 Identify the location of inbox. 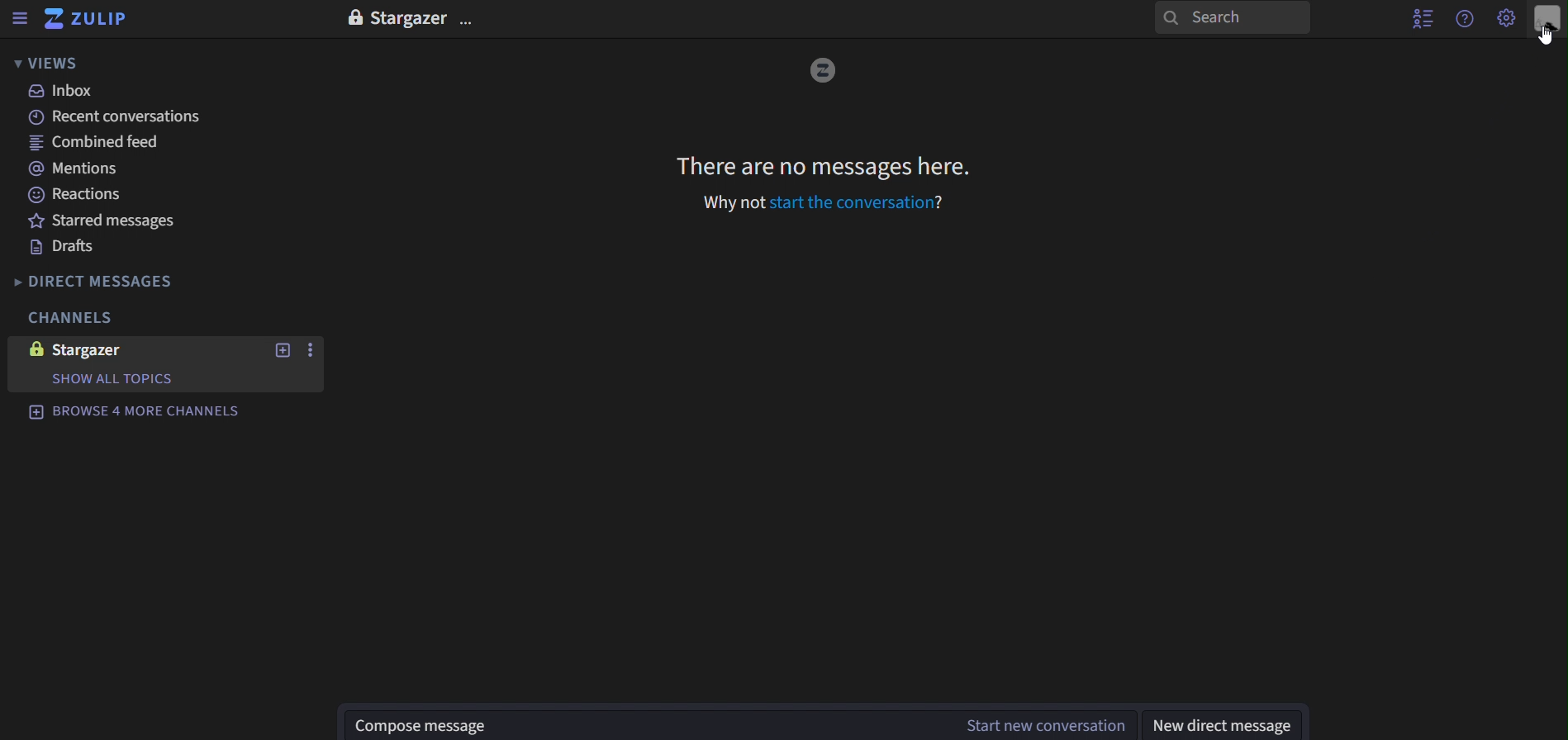
(67, 93).